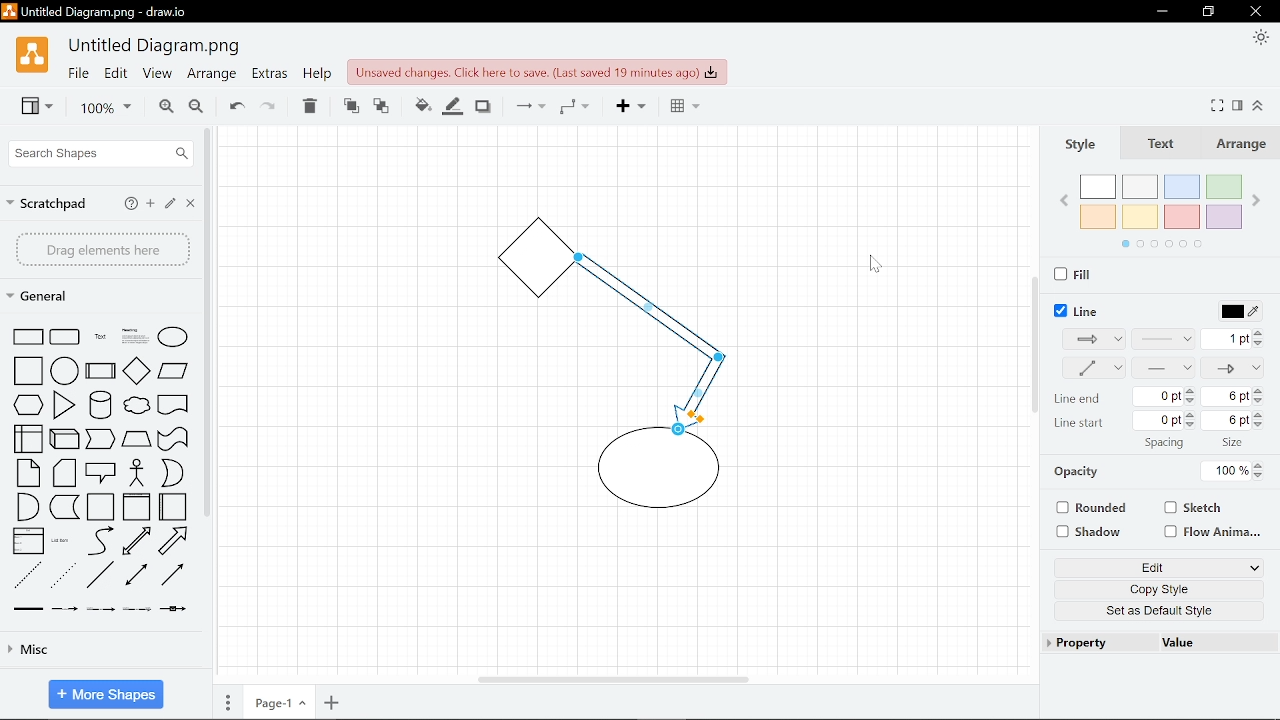 The image size is (1280, 720). Describe the element at coordinates (66, 474) in the screenshot. I see `shape` at that location.